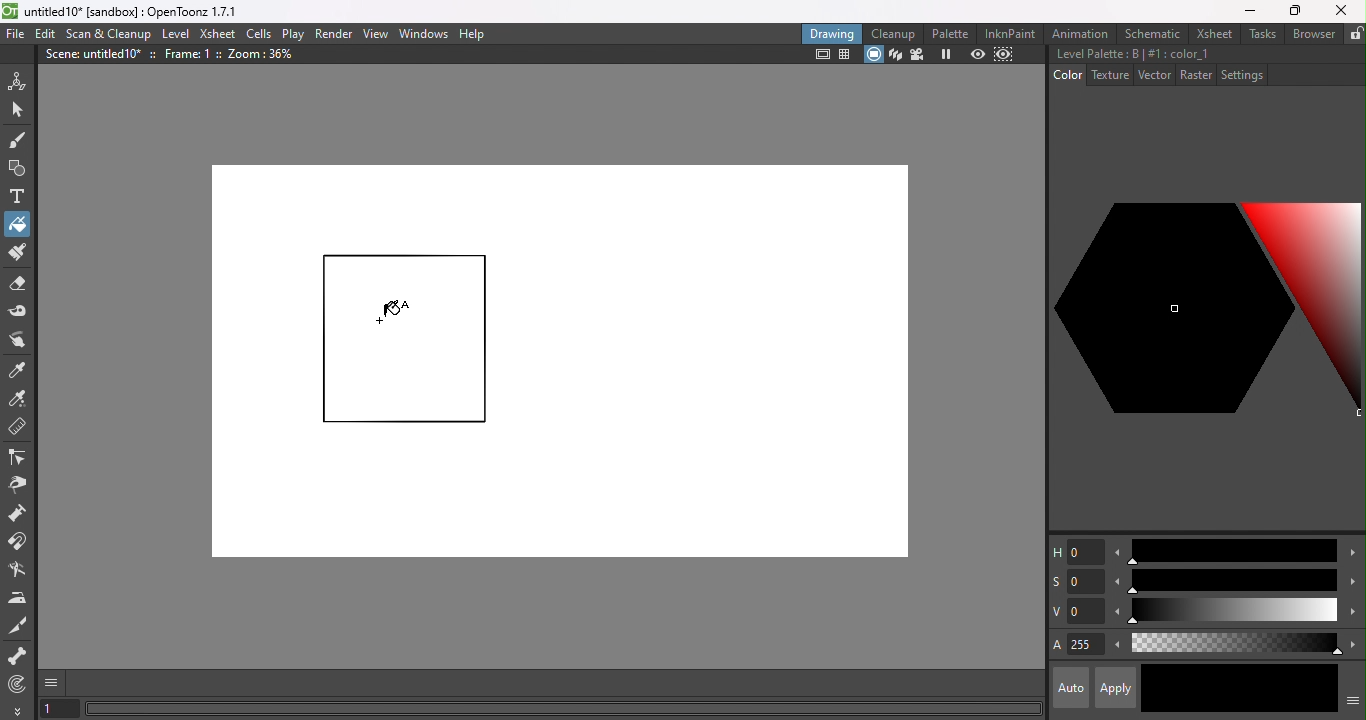 The image size is (1366, 720). Describe the element at coordinates (1352, 643) in the screenshot. I see `Increase` at that location.